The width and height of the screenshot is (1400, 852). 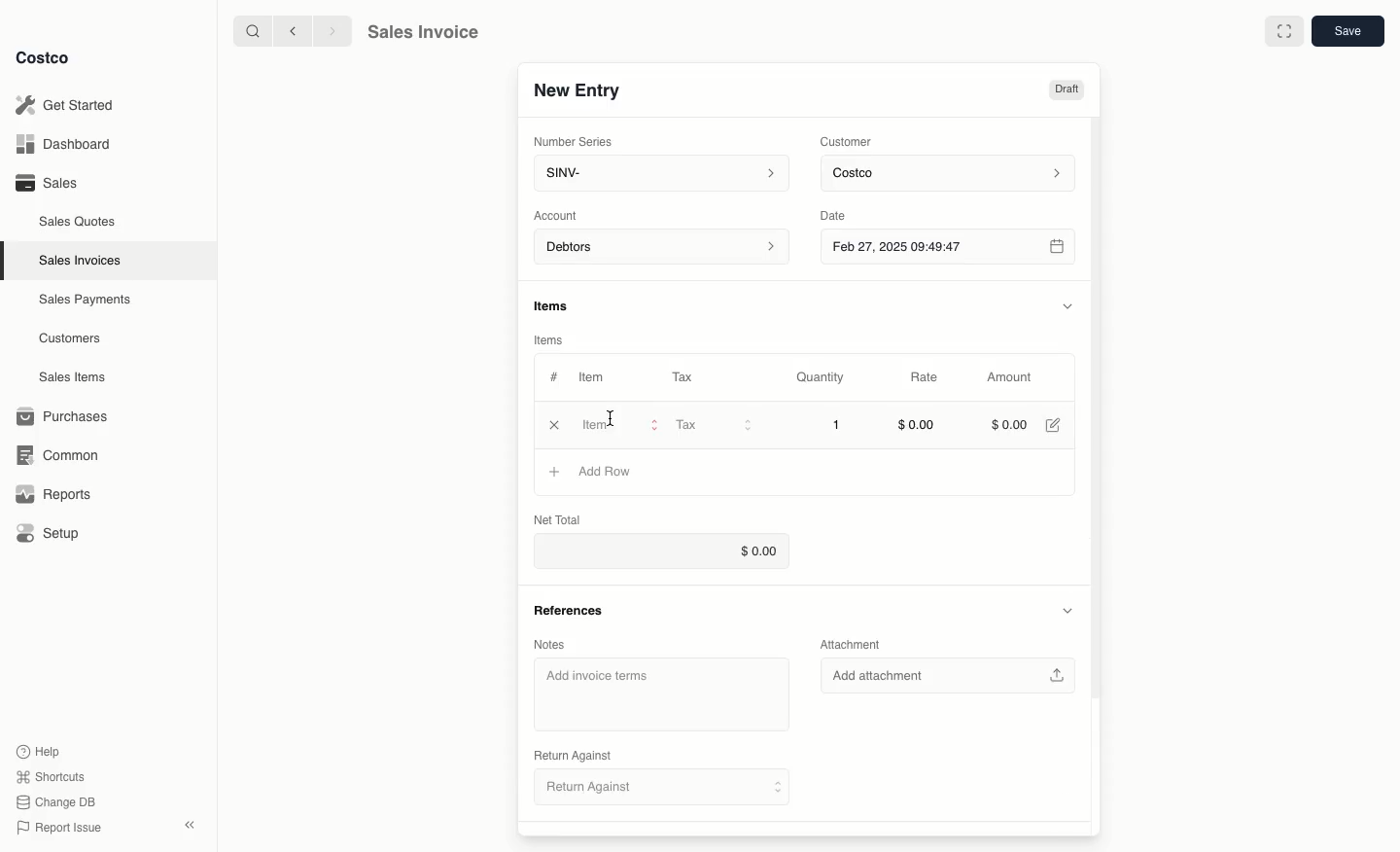 What do you see at coordinates (849, 213) in the screenshot?
I see `Date` at bounding box center [849, 213].